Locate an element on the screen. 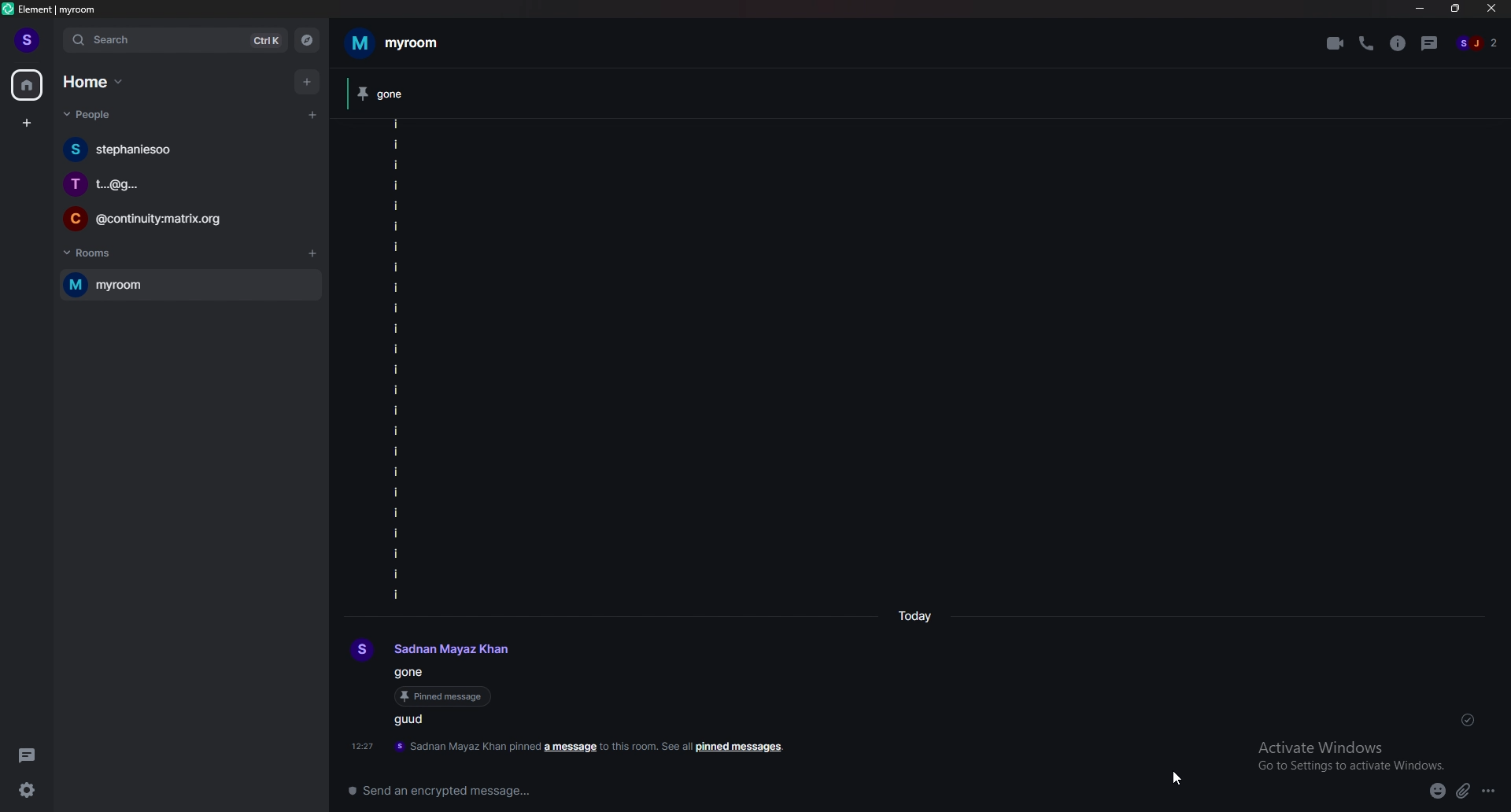 Image resolution: width=1511 pixels, height=812 pixels. minimize is located at coordinates (1419, 9).